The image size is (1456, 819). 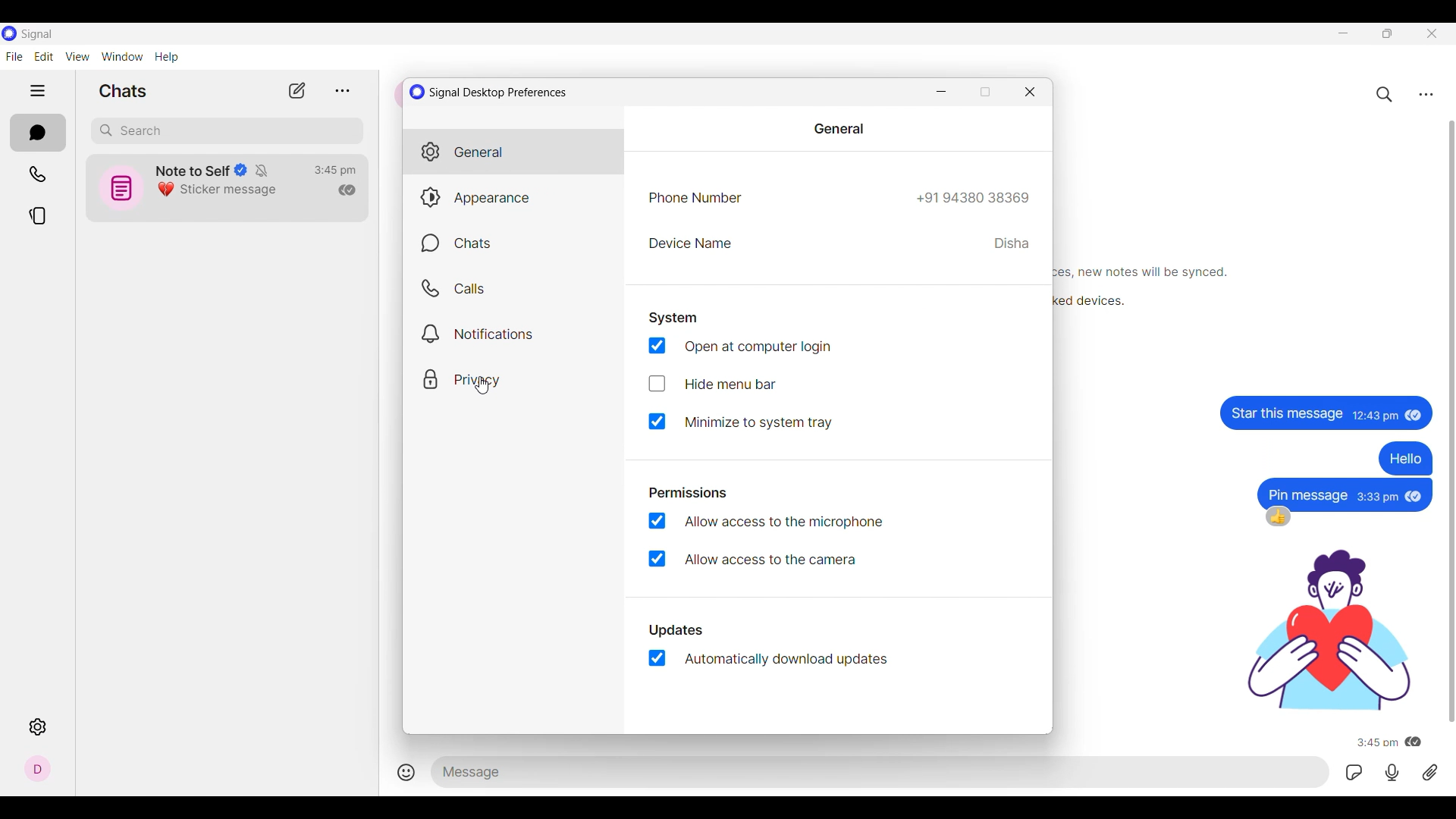 I want to click on Minimize, so click(x=1343, y=33).